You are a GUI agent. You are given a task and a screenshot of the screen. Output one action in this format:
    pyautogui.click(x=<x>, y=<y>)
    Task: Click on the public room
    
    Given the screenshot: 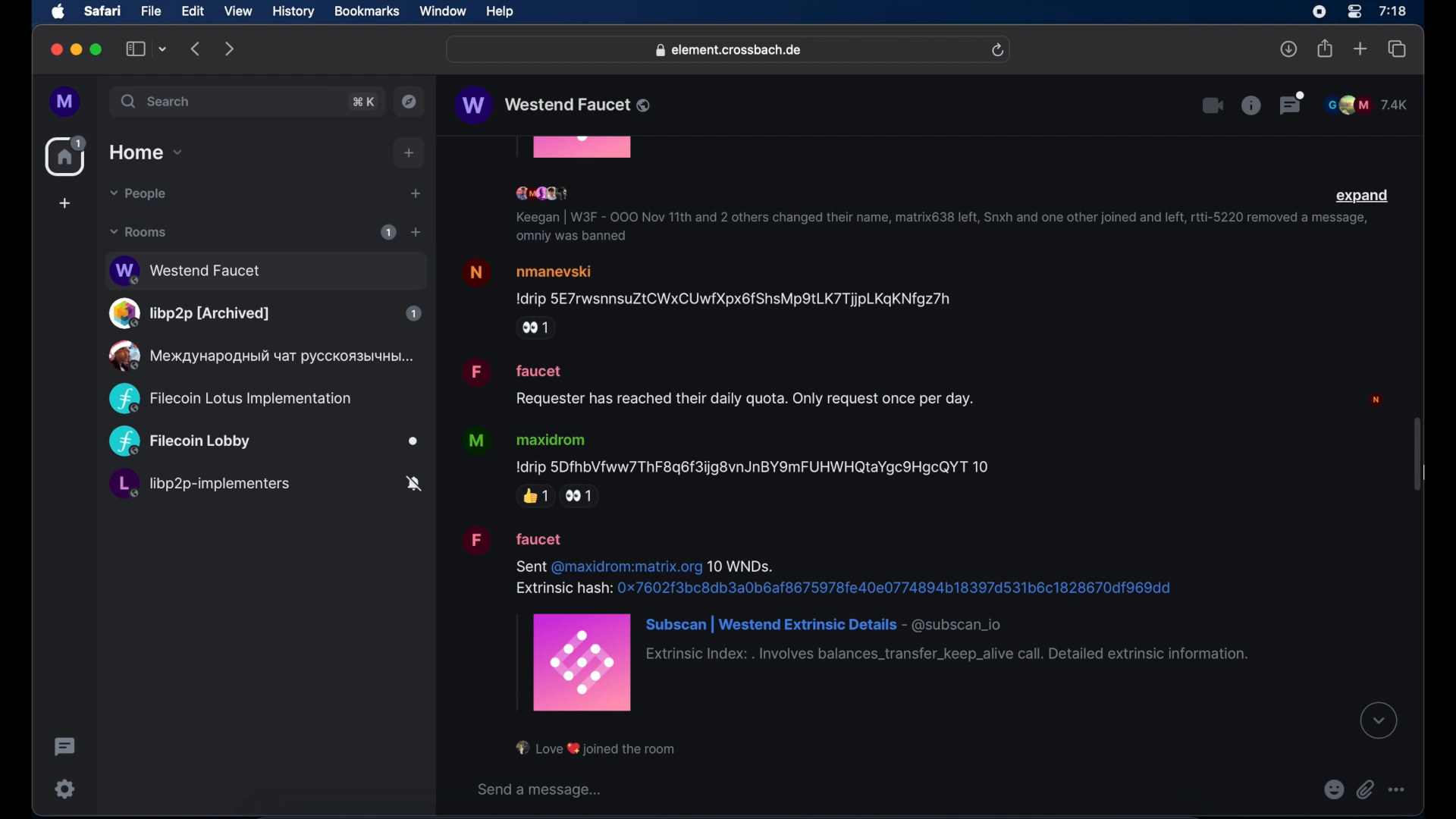 What is the action you would take?
    pyautogui.click(x=265, y=268)
    